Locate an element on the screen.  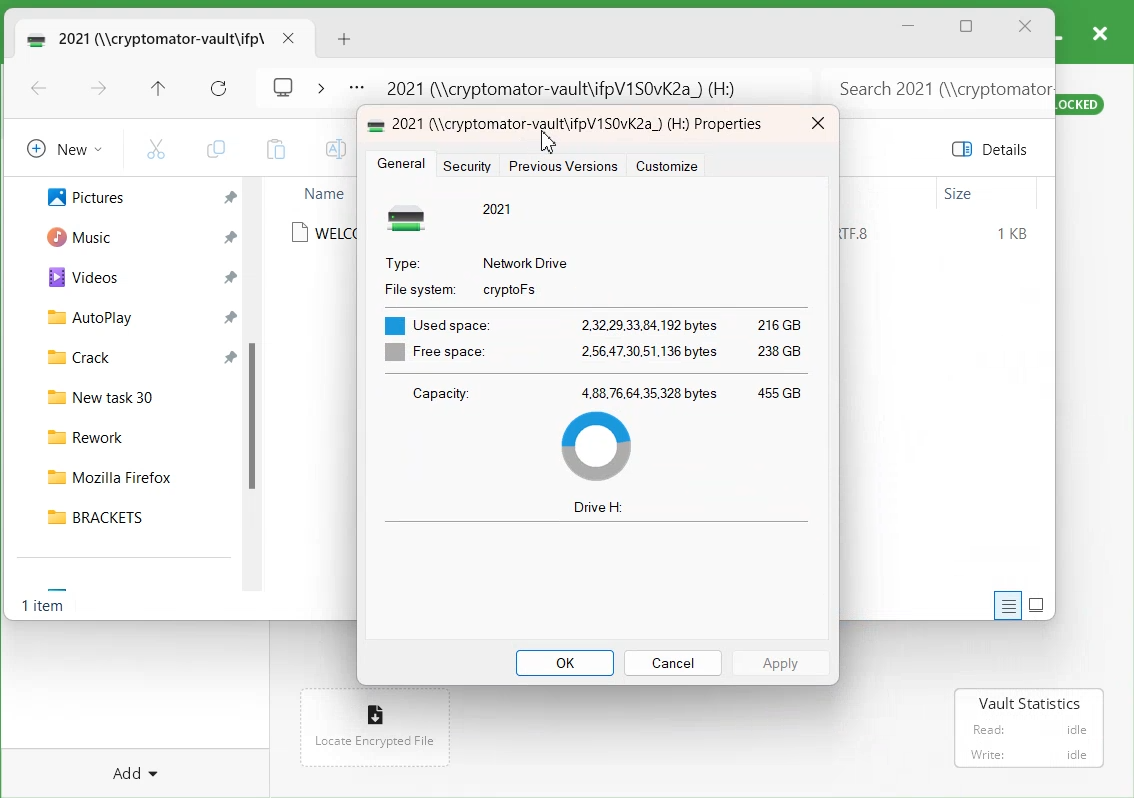
close is located at coordinates (288, 38).